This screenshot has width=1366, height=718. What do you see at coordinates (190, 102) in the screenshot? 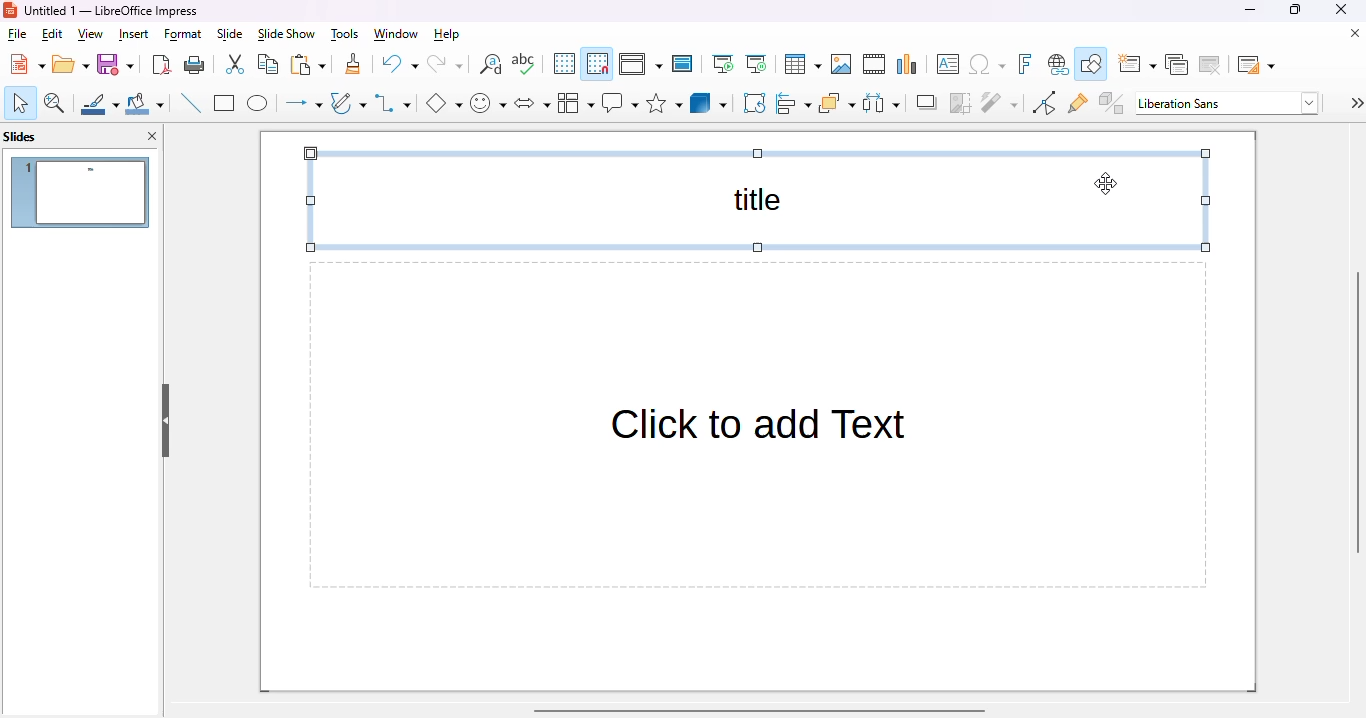
I see `insert line` at bounding box center [190, 102].